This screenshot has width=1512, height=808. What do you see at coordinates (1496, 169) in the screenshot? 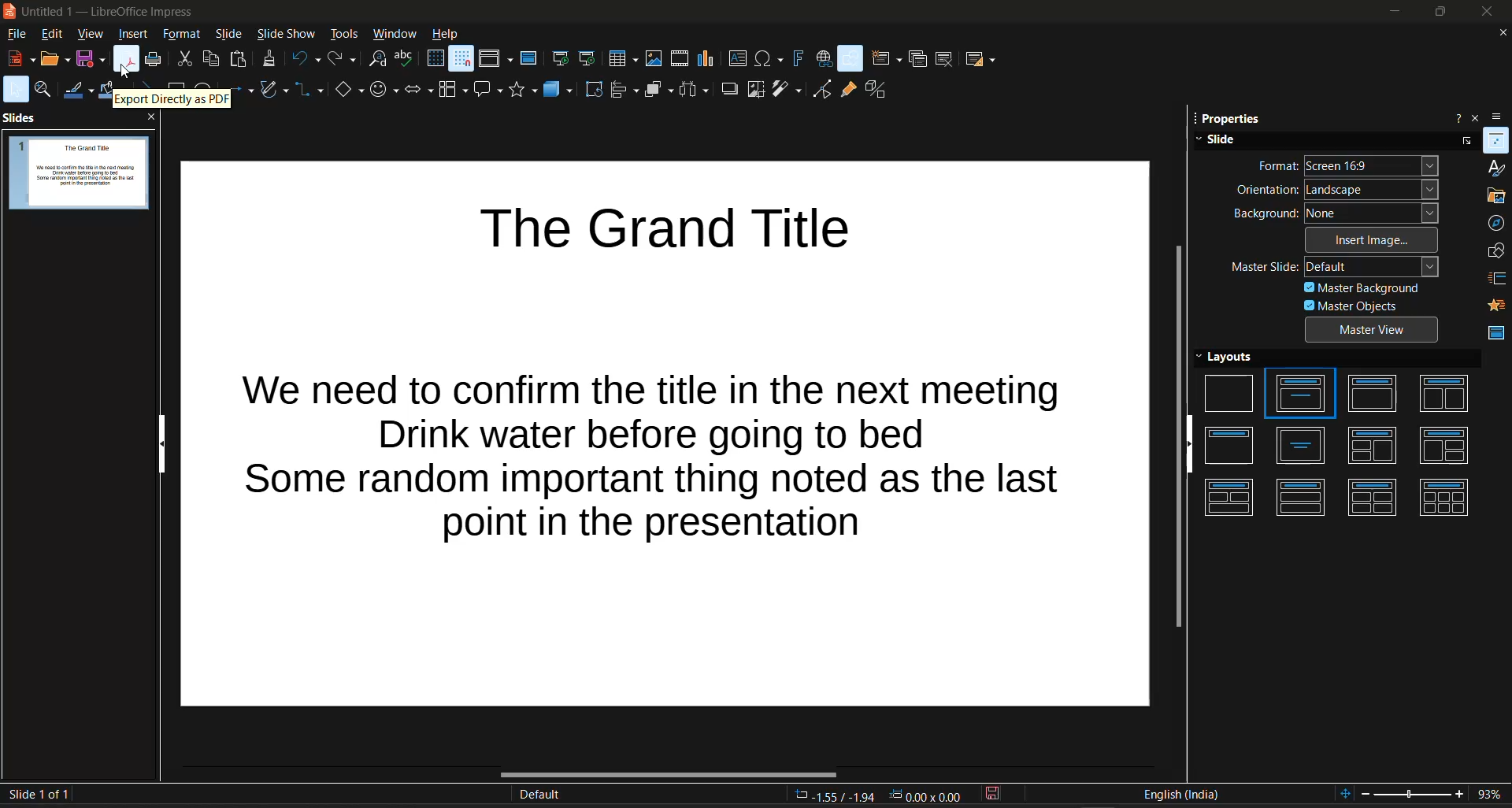
I see `styles` at bounding box center [1496, 169].